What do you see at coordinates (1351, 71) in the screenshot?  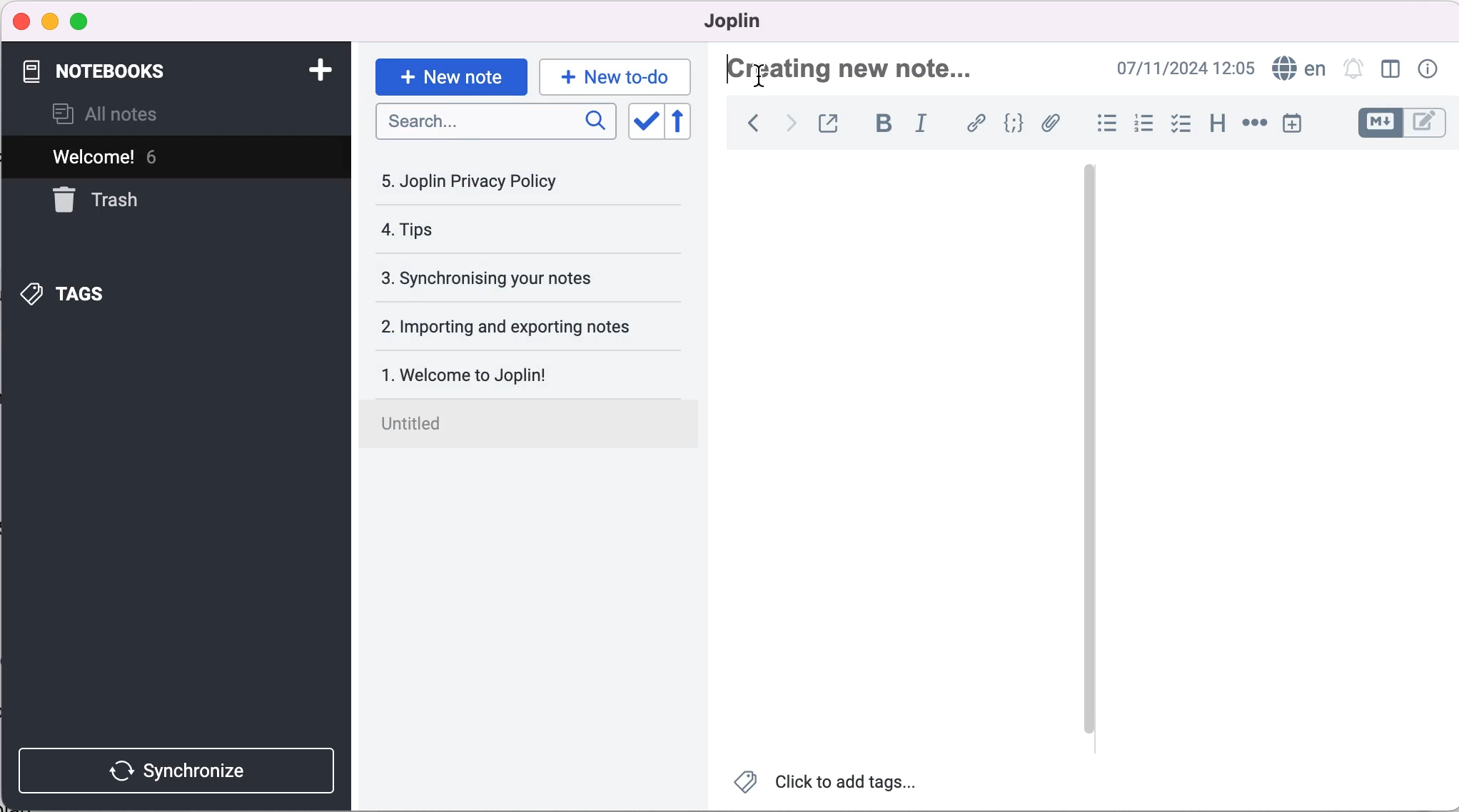 I see `set alarm` at bounding box center [1351, 71].